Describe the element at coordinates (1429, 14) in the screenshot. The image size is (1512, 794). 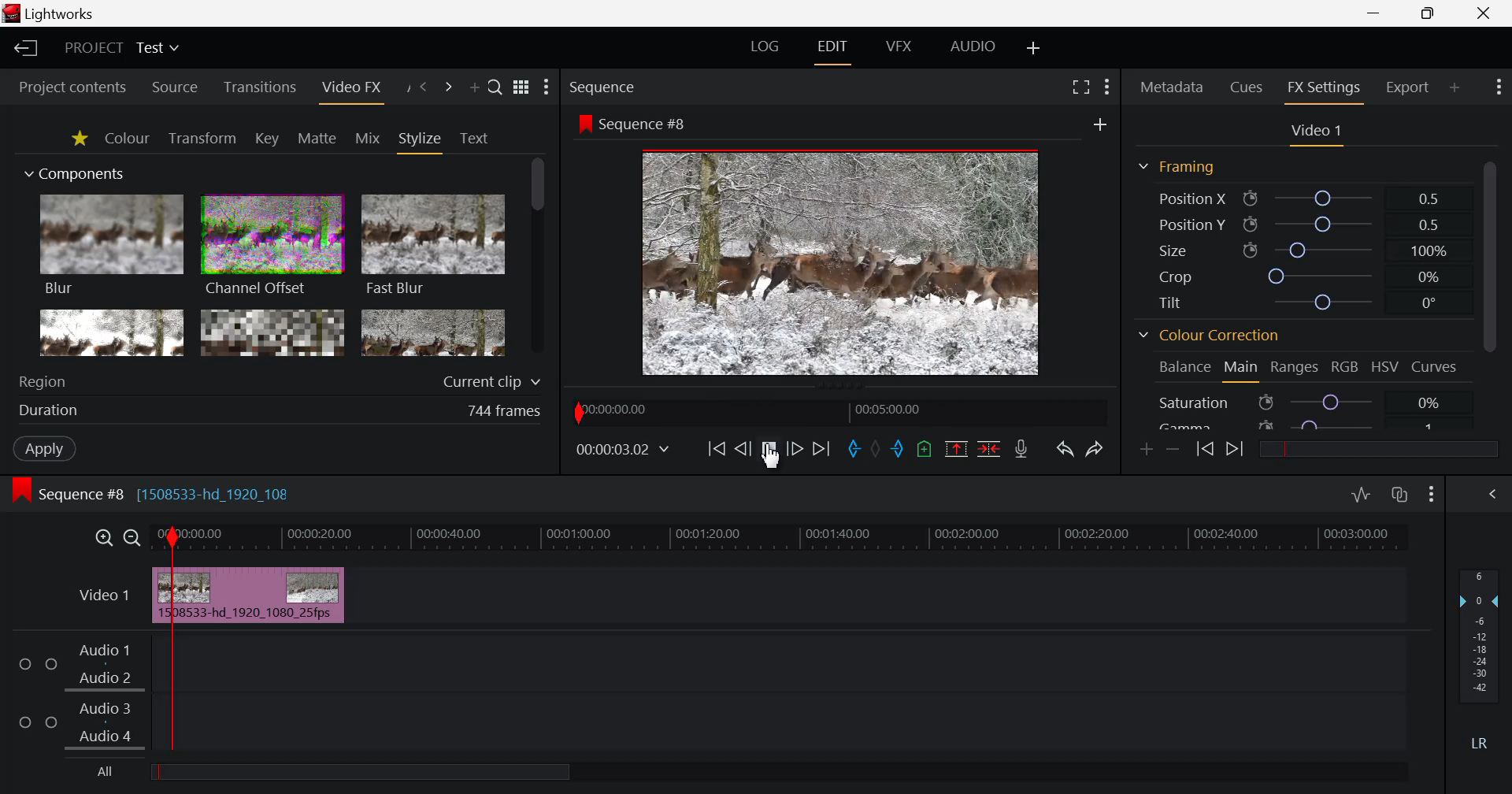
I see `Minimize` at that location.